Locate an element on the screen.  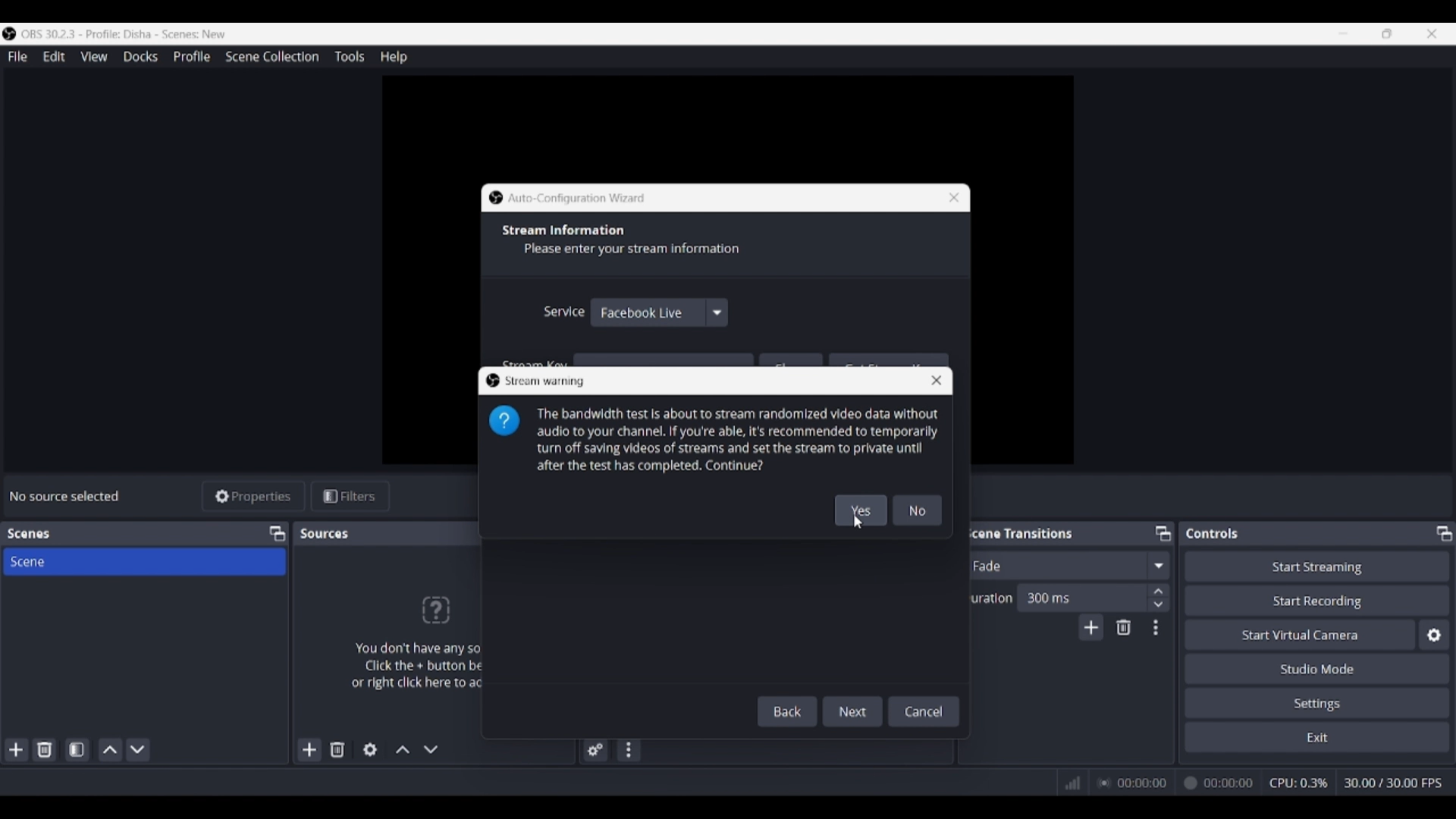
Start virtual camera is located at coordinates (1300, 634).